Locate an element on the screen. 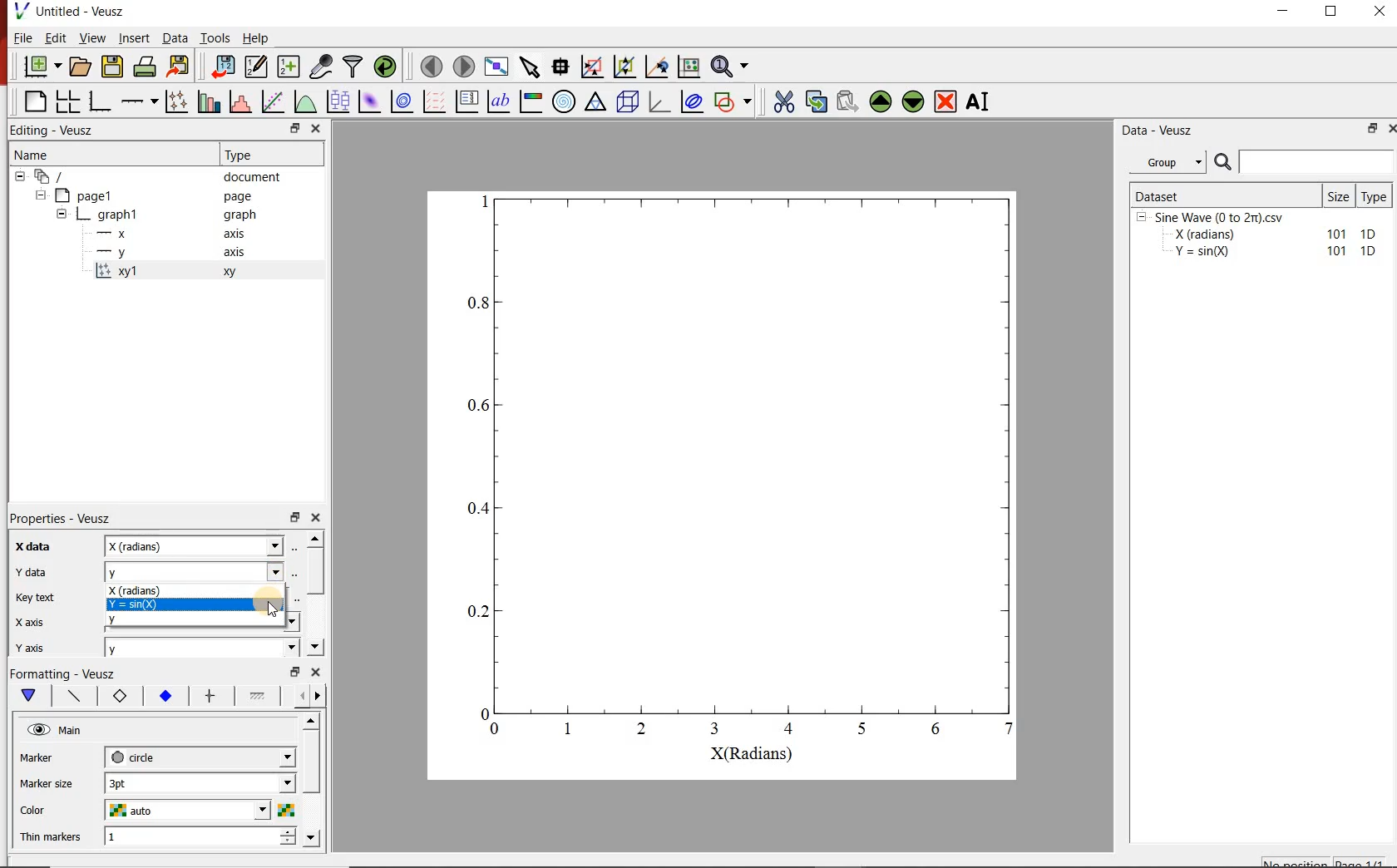 The width and height of the screenshot is (1397, 868). down arrow is located at coordinates (27, 696).